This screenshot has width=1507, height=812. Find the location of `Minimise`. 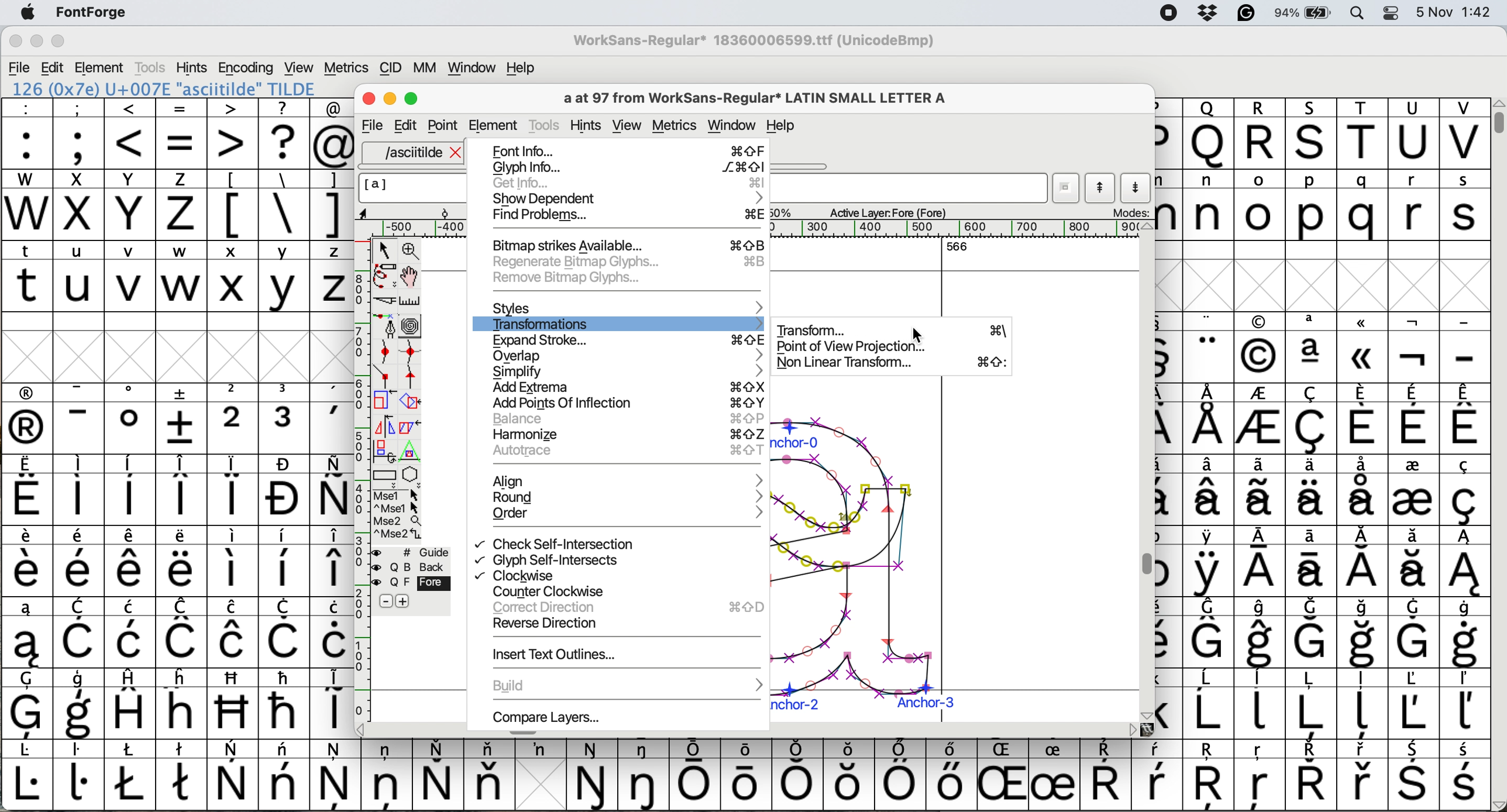

Minimise is located at coordinates (391, 99).